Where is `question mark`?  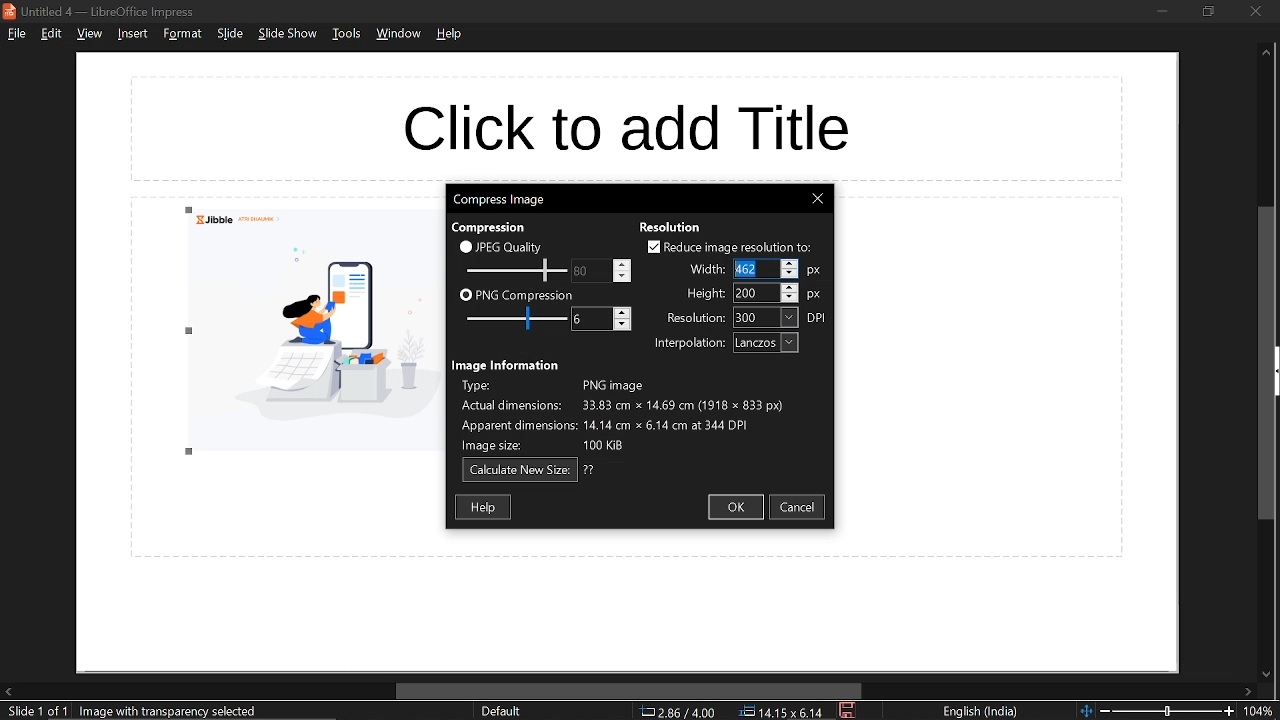 question mark is located at coordinates (590, 470).